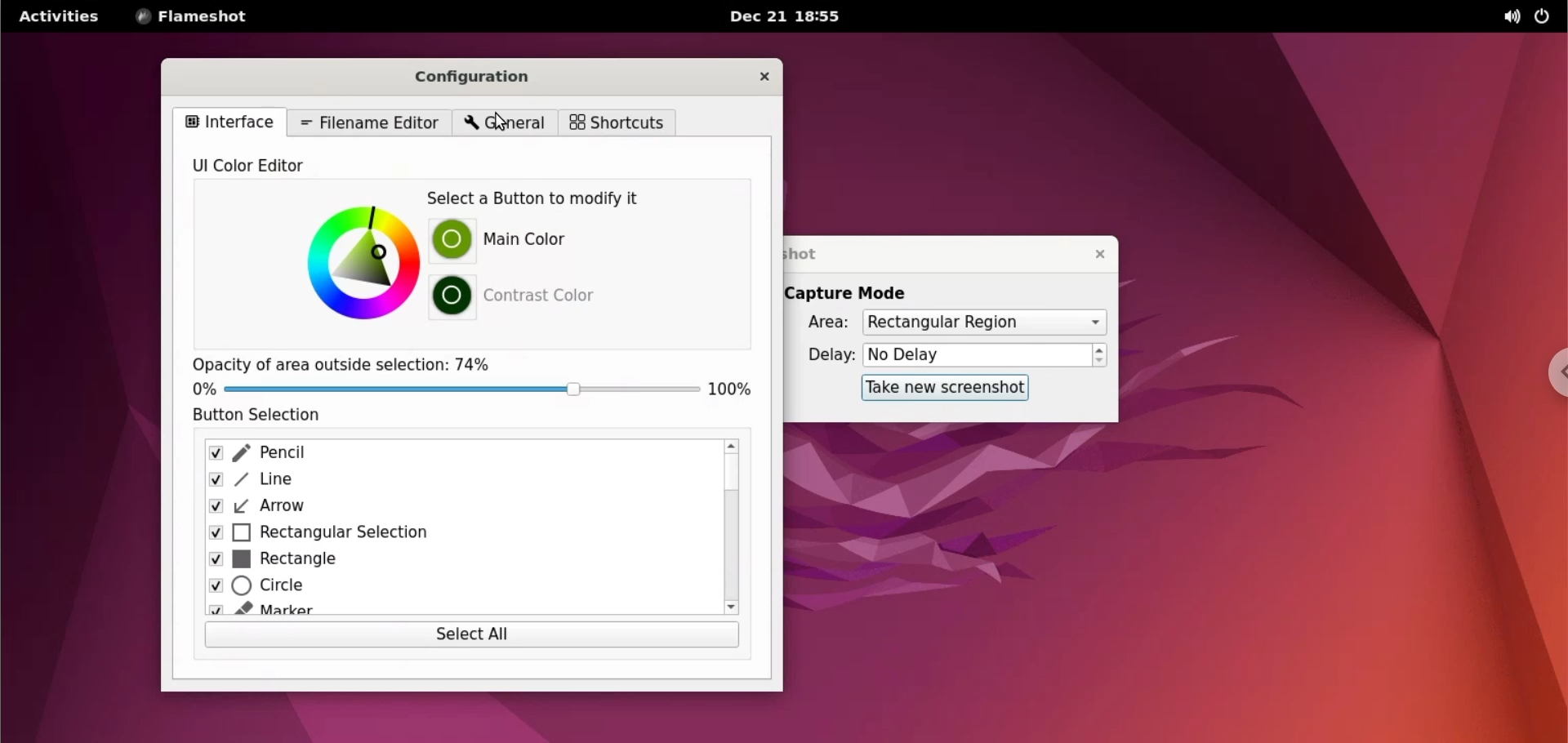  What do you see at coordinates (536, 241) in the screenshot?
I see `main color` at bounding box center [536, 241].